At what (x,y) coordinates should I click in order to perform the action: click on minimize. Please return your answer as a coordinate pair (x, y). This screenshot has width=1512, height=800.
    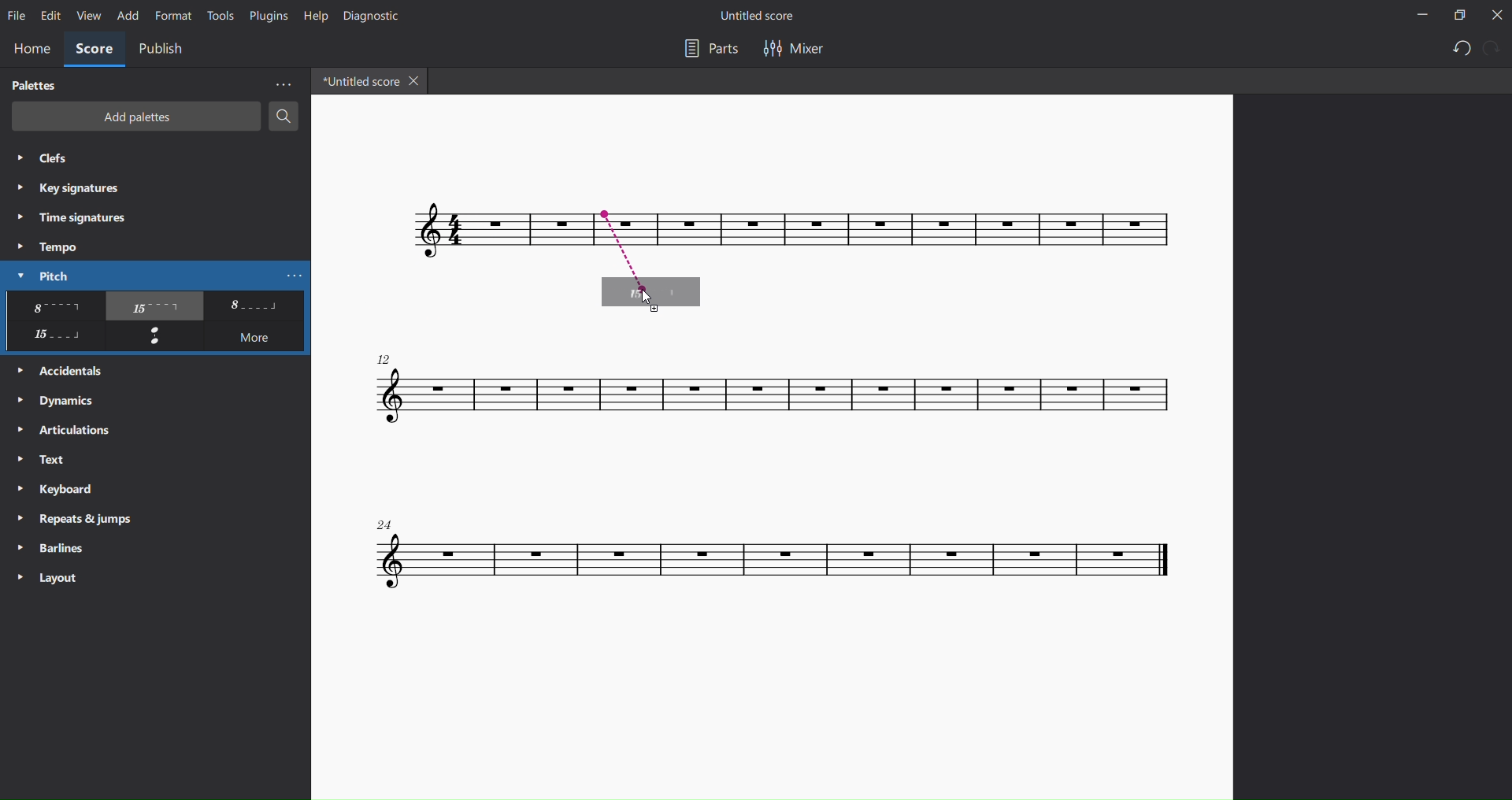
    Looking at the image, I should click on (1421, 16).